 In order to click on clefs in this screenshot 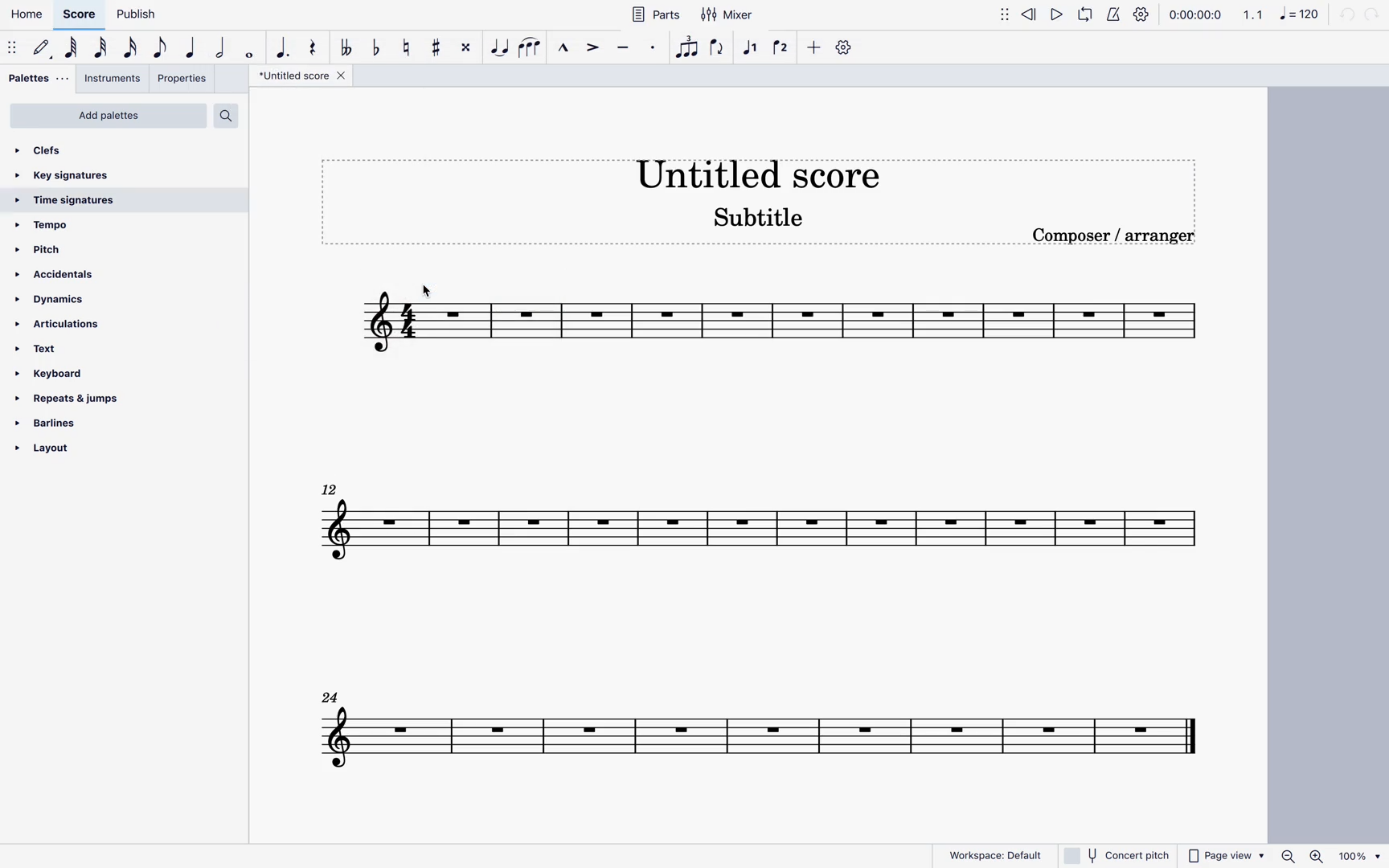, I will do `click(47, 150)`.